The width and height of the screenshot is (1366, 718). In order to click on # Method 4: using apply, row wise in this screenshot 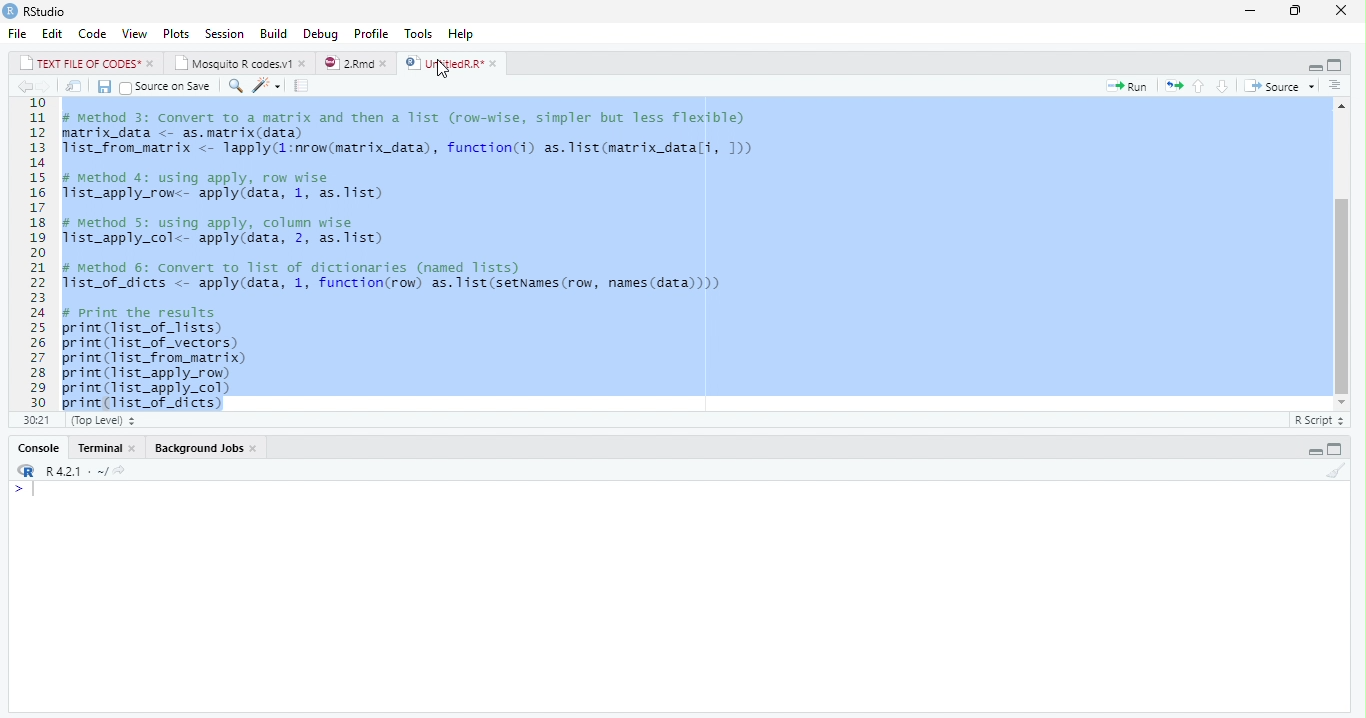, I will do `click(209, 177)`.